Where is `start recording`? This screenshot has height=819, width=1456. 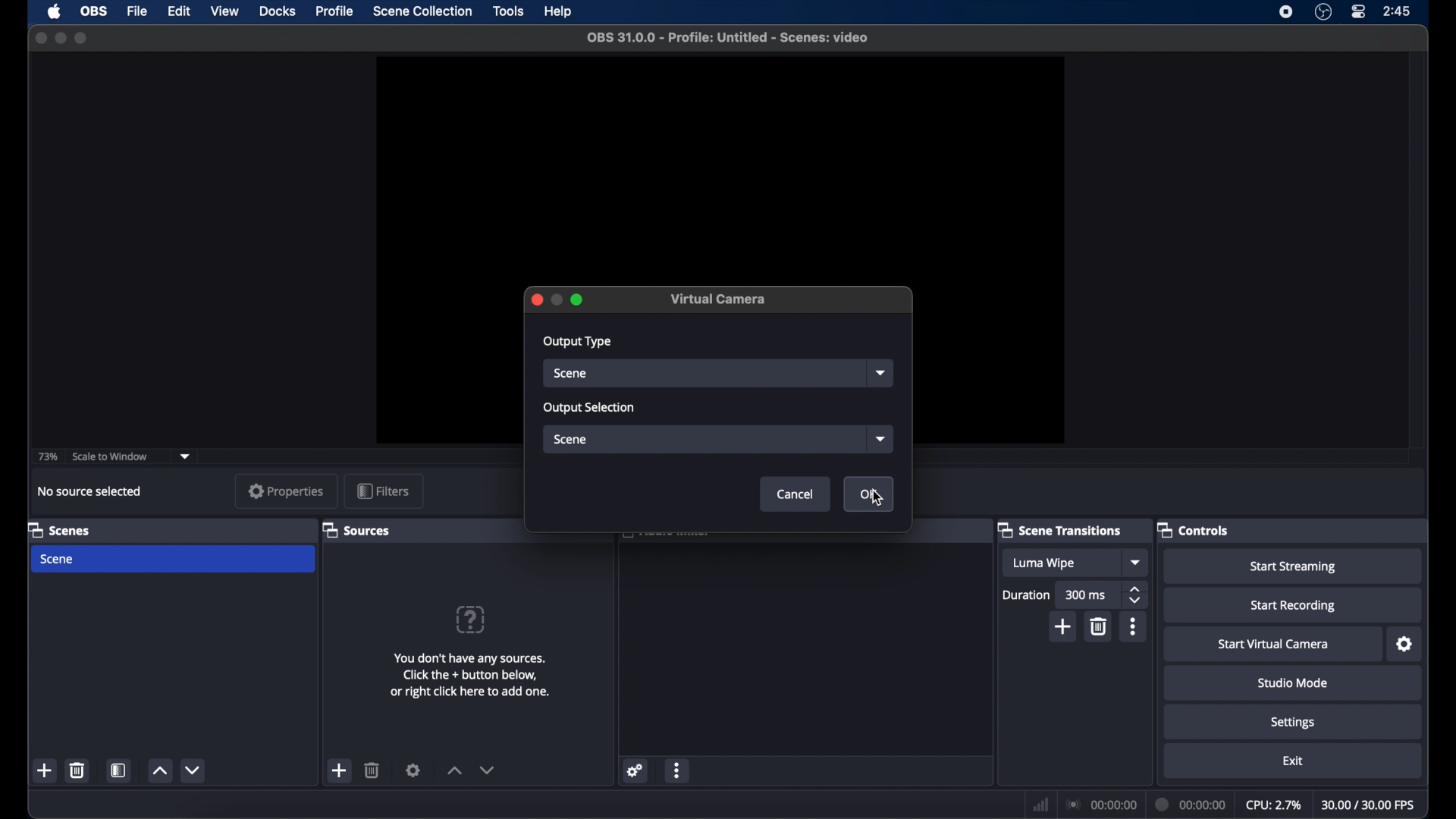 start recording is located at coordinates (1295, 605).